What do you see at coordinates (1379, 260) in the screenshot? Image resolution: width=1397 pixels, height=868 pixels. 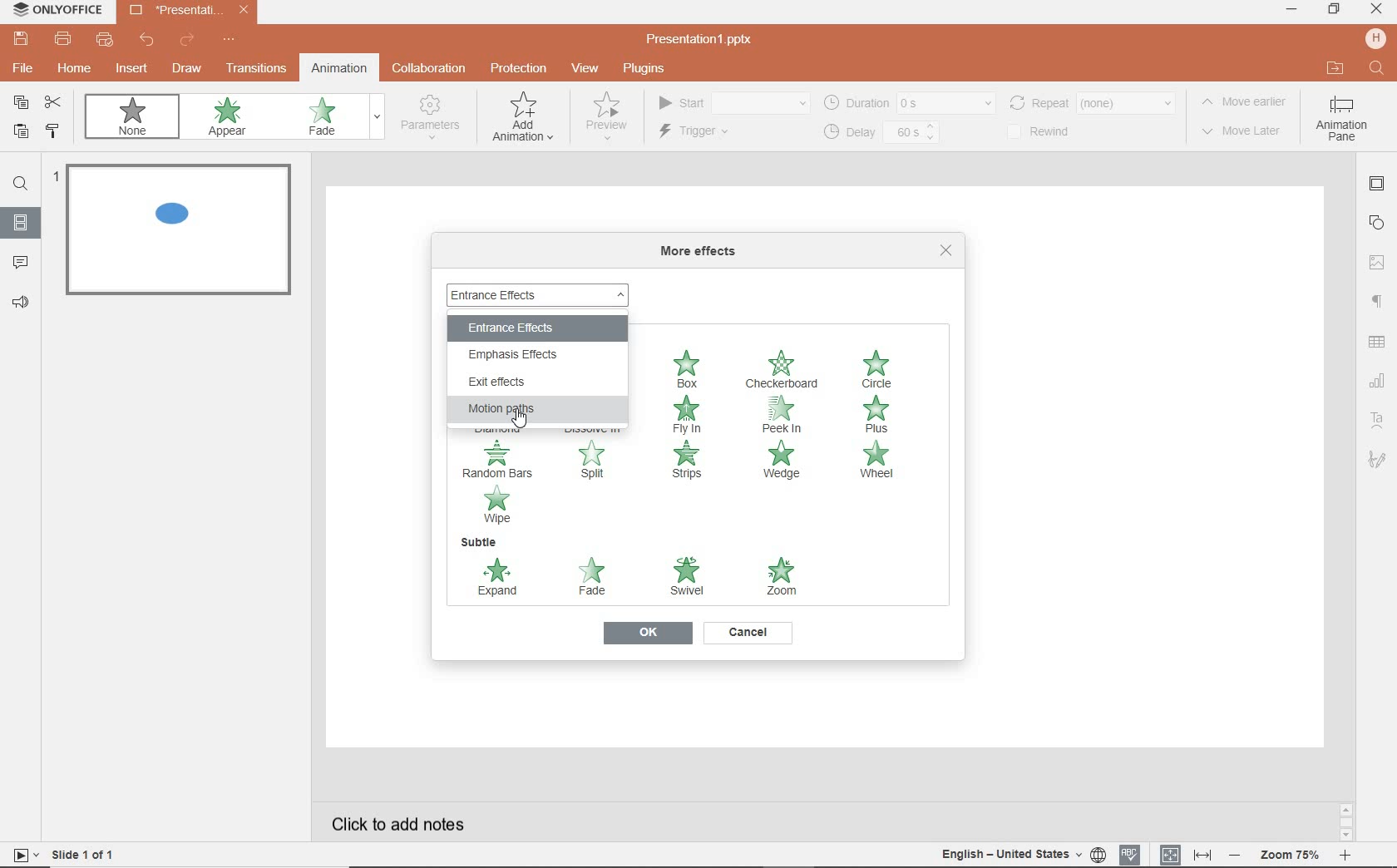 I see `image settings` at bounding box center [1379, 260].